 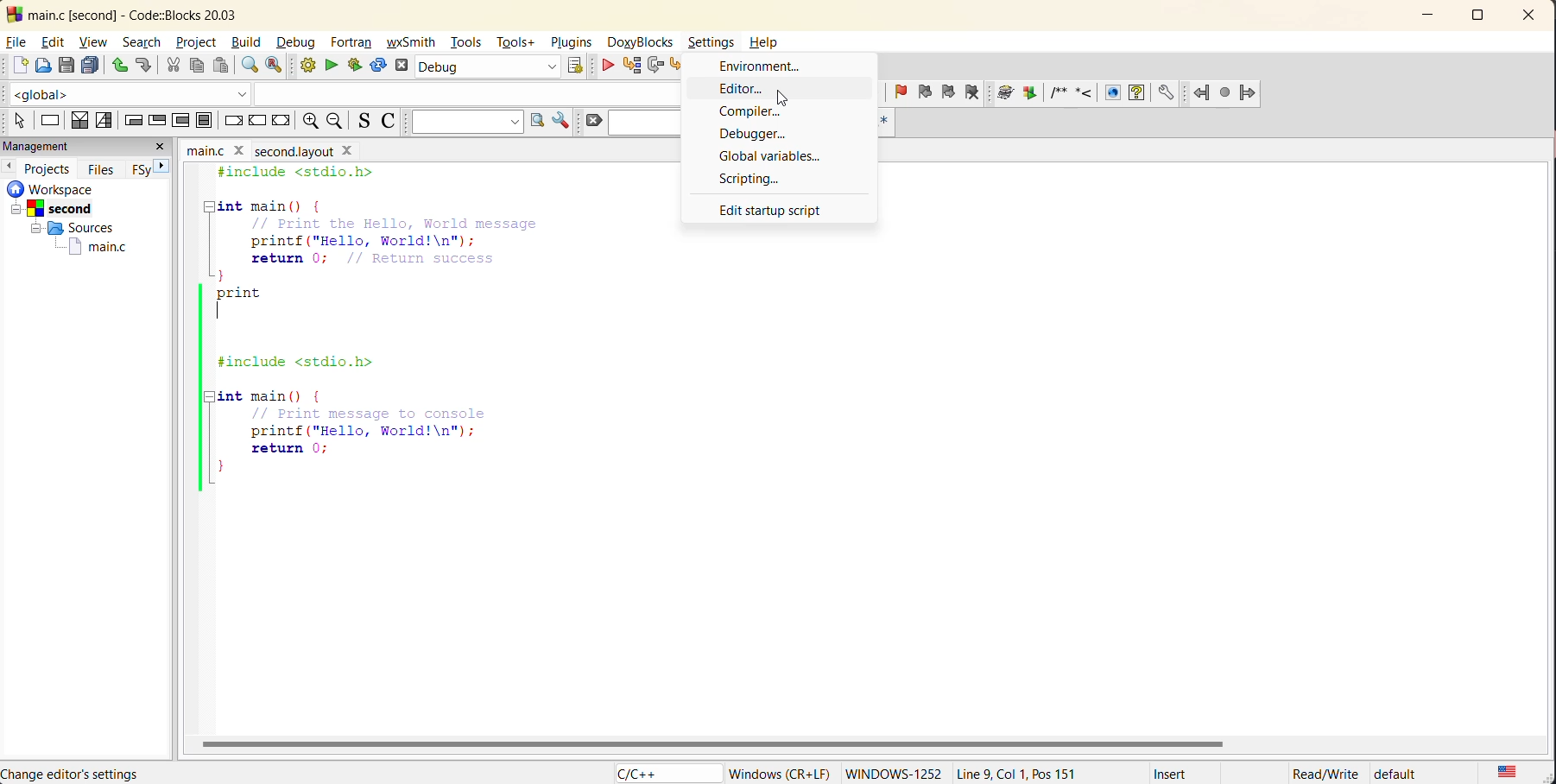 What do you see at coordinates (780, 770) in the screenshot?
I see `metadata` at bounding box center [780, 770].